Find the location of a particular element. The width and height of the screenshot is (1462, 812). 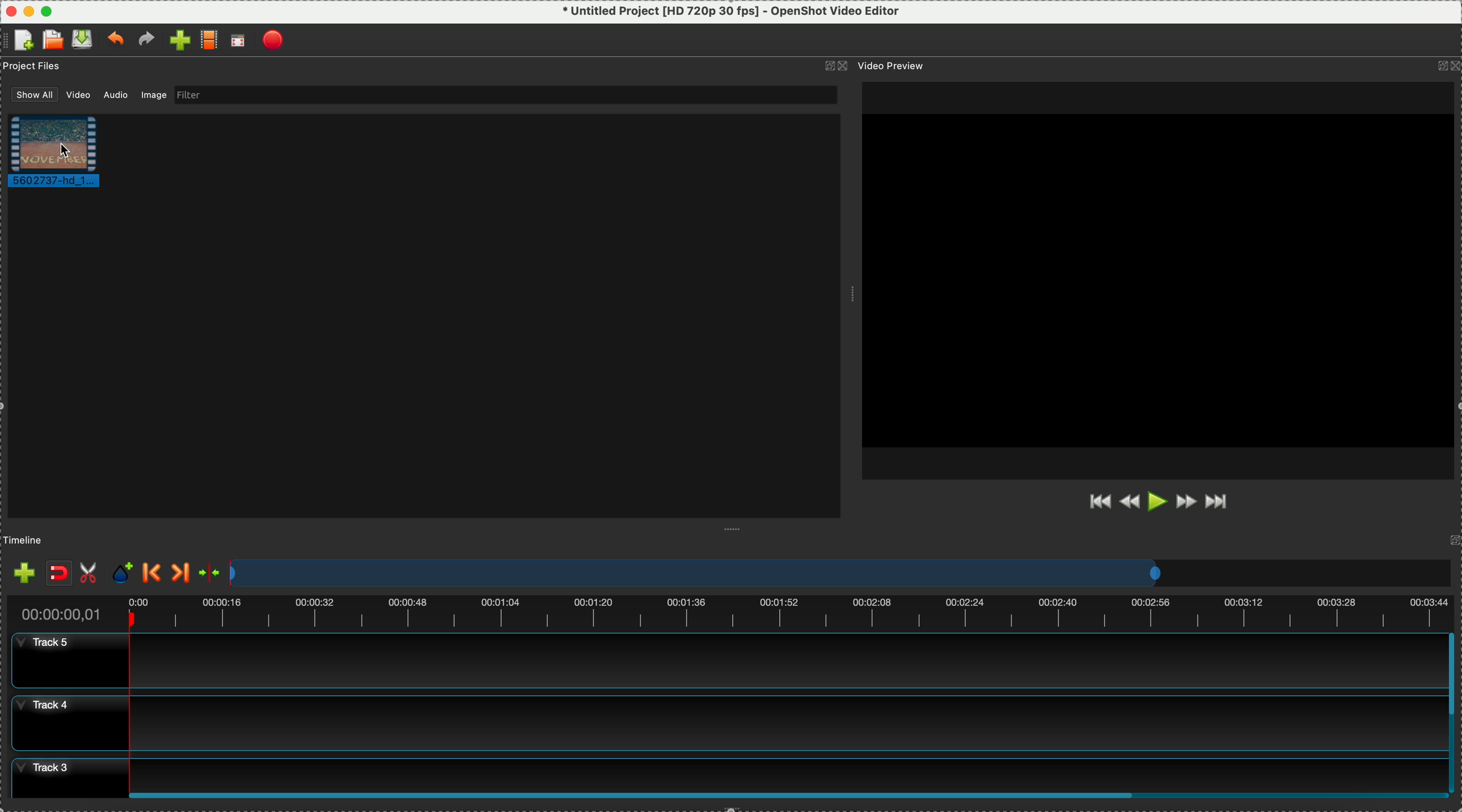

show all is located at coordinates (30, 94).